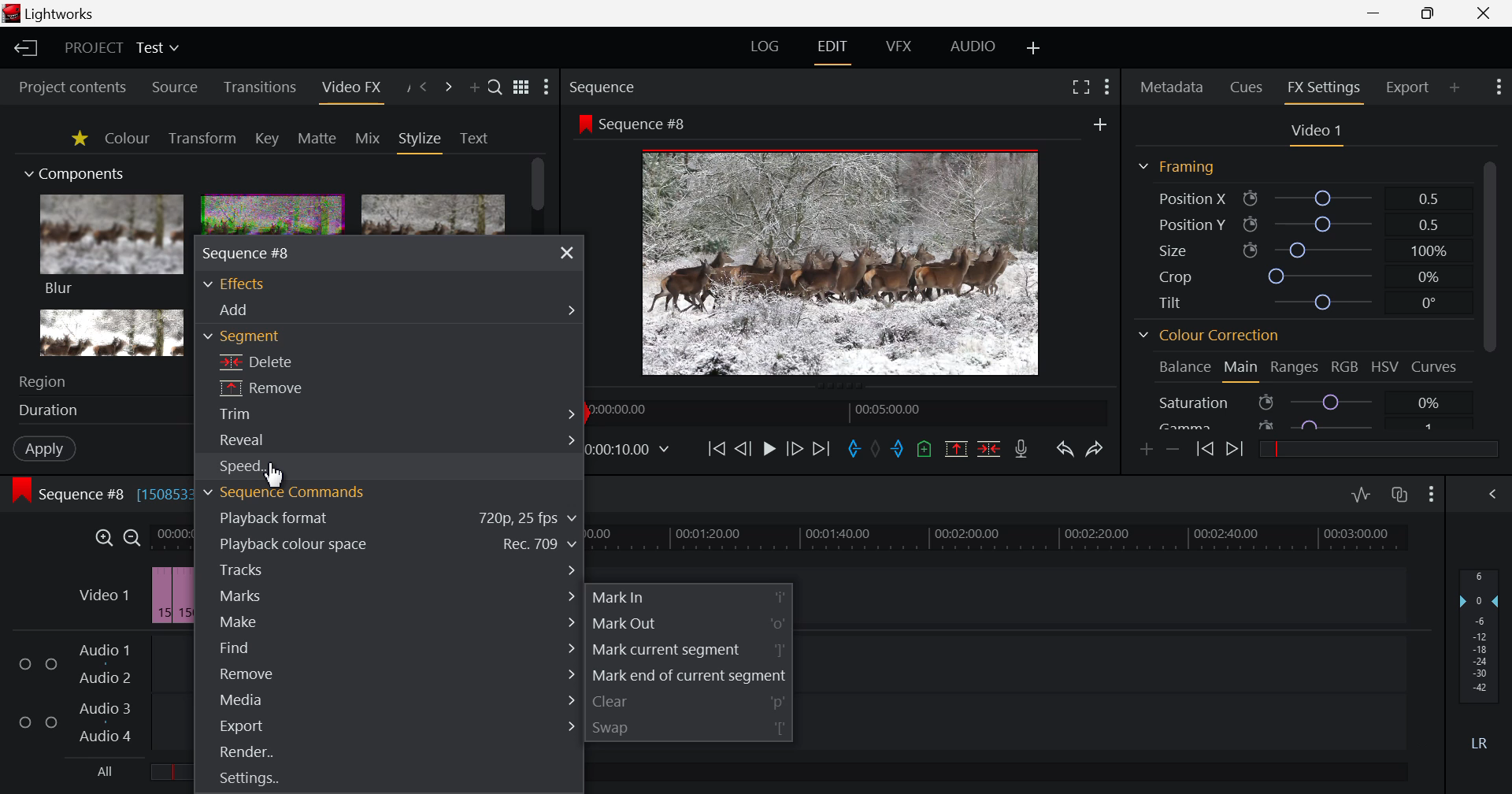  I want to click on Cursor on Speed, so click(250, 466).